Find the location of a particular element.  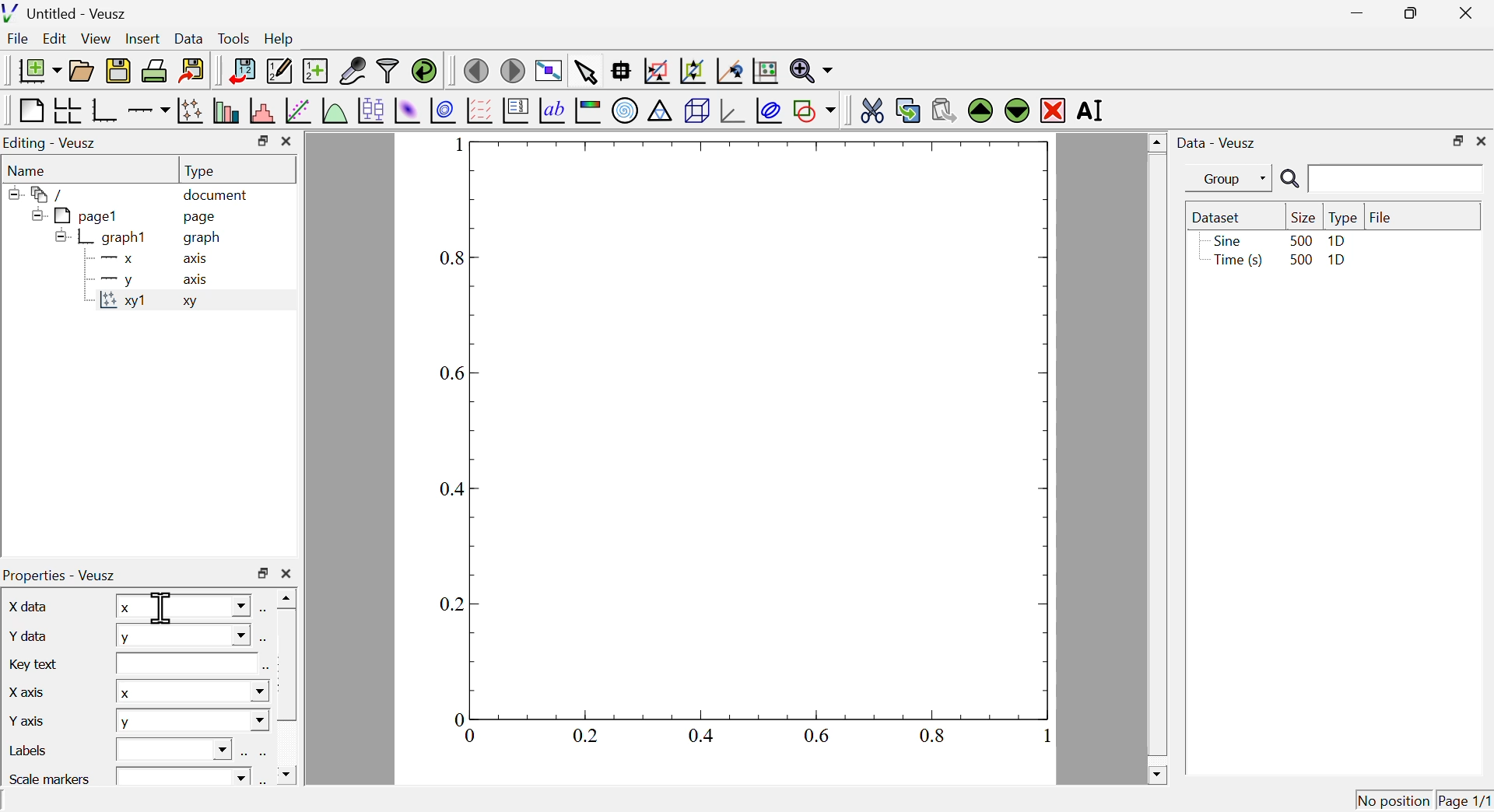

3d graph is located at coordinates (732, 111).